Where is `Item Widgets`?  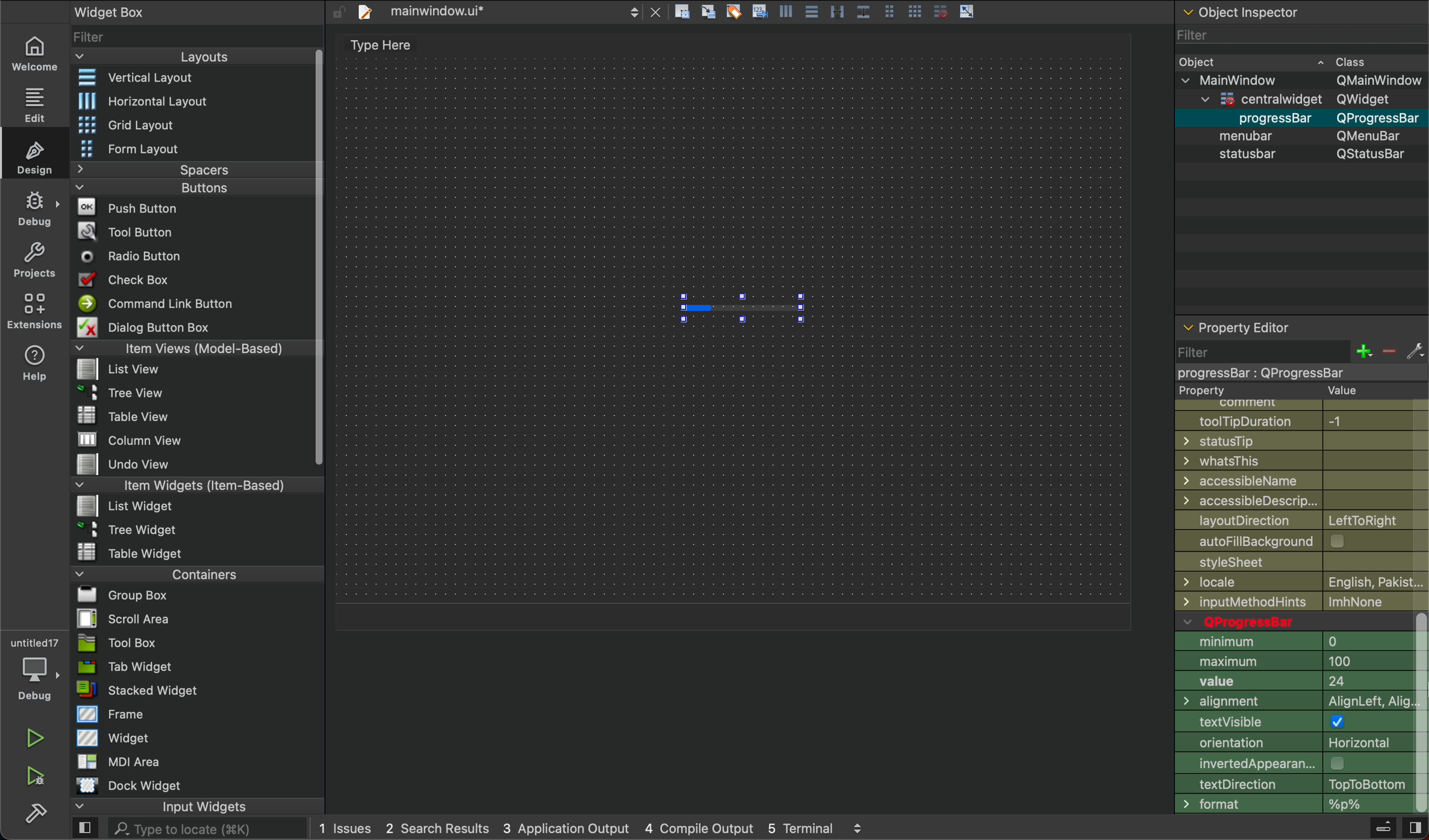
Item Widgets is located at coordinates (179, 484).